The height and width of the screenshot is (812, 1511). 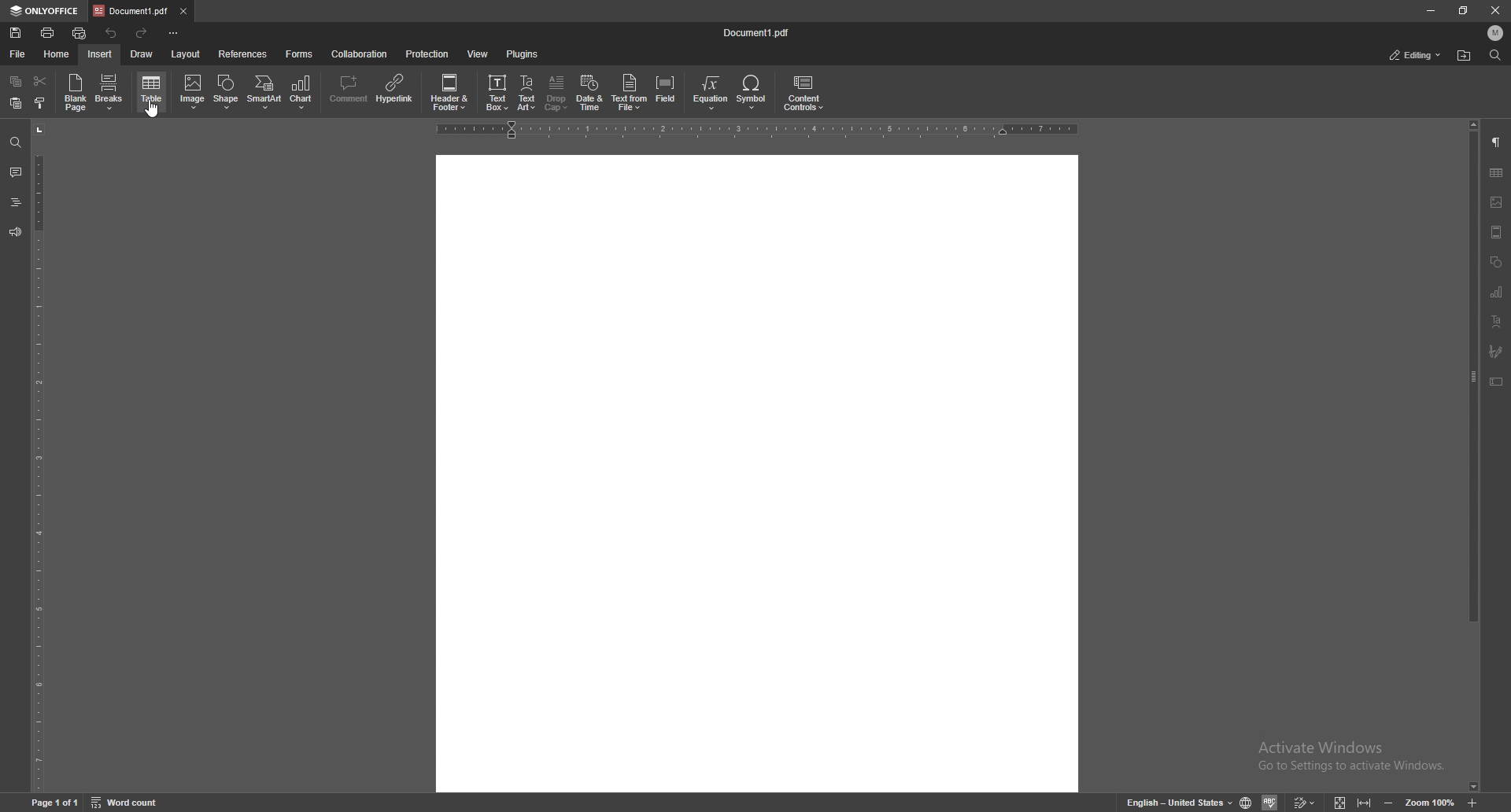 What do you see at coordinates (111, 91) in the screenshot?
I see `breaks` at bounding box center [111, 91].